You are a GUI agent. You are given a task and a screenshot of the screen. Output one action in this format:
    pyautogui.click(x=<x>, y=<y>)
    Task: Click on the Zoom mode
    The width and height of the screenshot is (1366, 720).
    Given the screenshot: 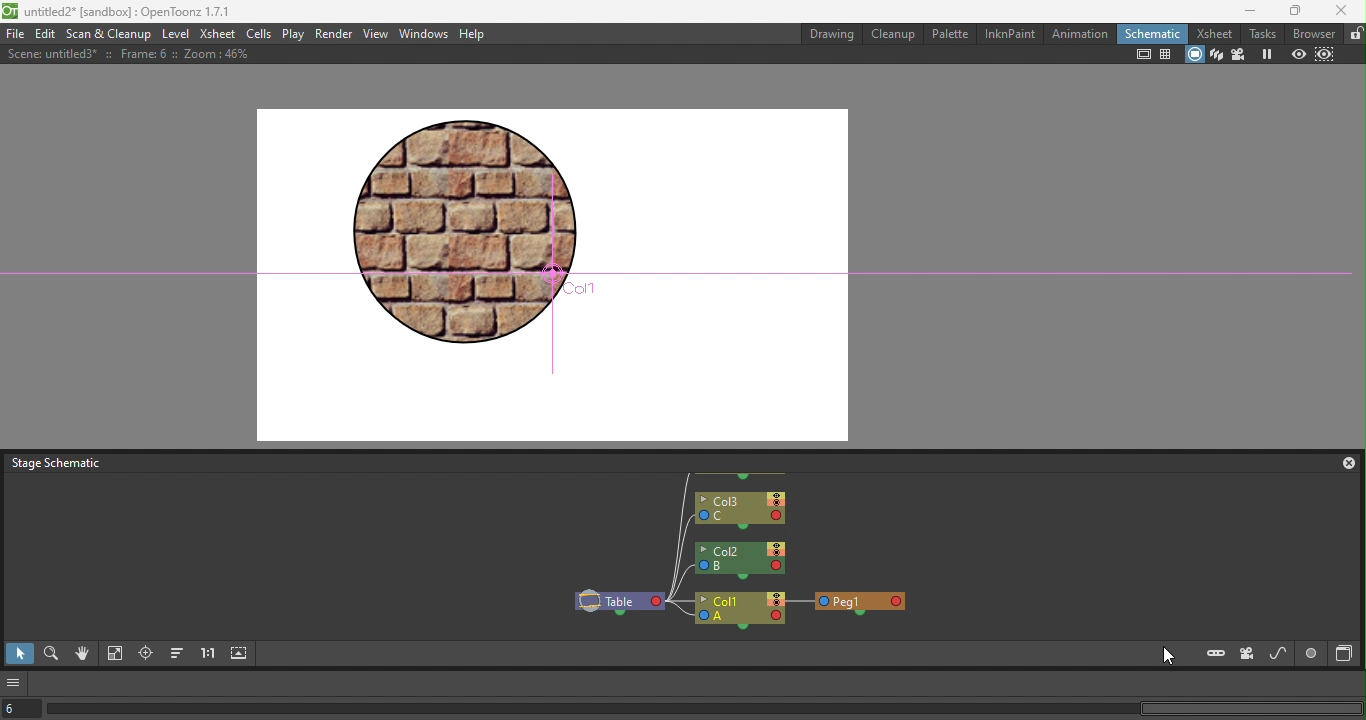 What is the action you would take?
    pyautogui.click(x=51, y=656)
    